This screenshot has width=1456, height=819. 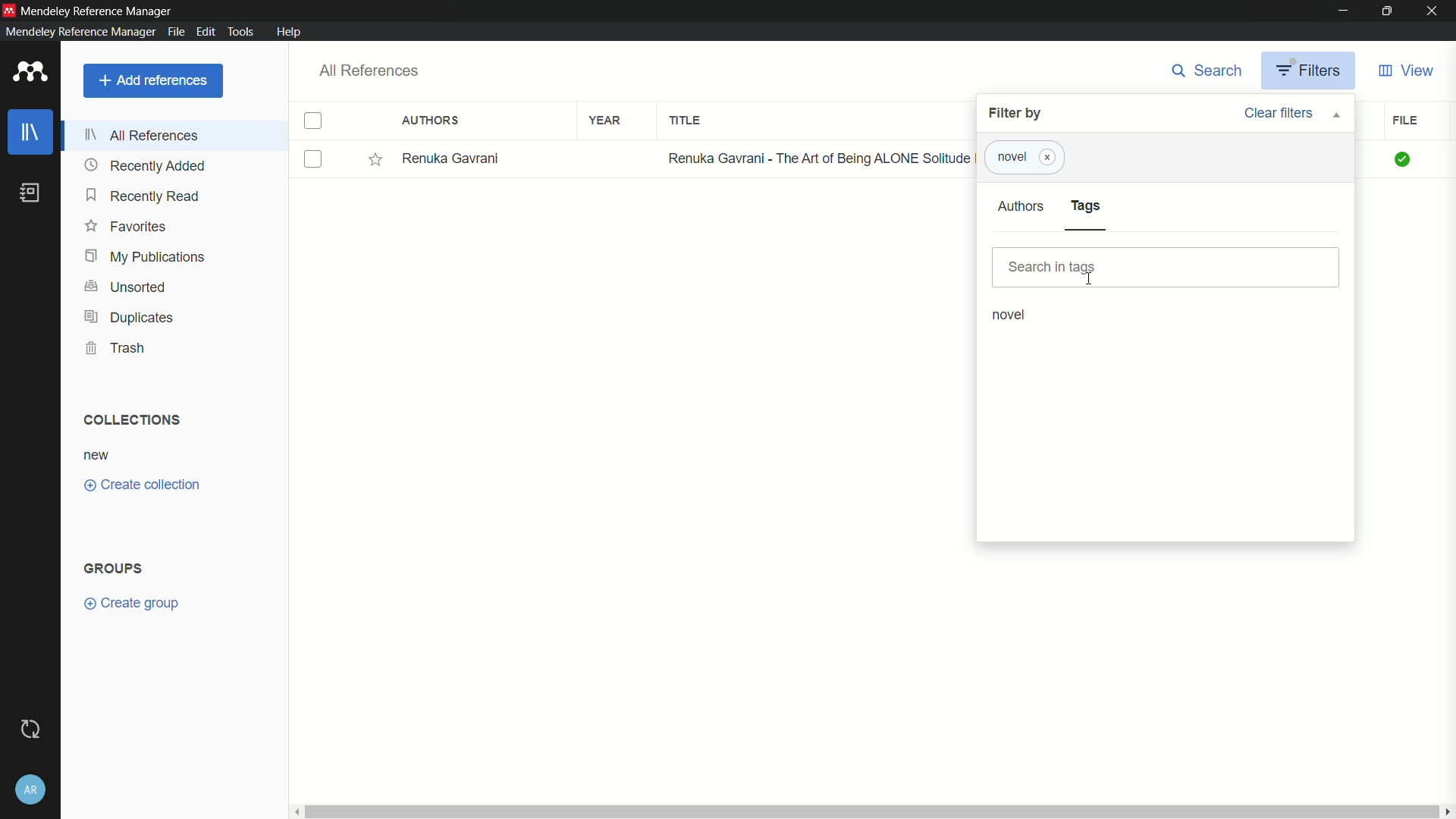 I want to click on search, so click(x=1208, y=70).